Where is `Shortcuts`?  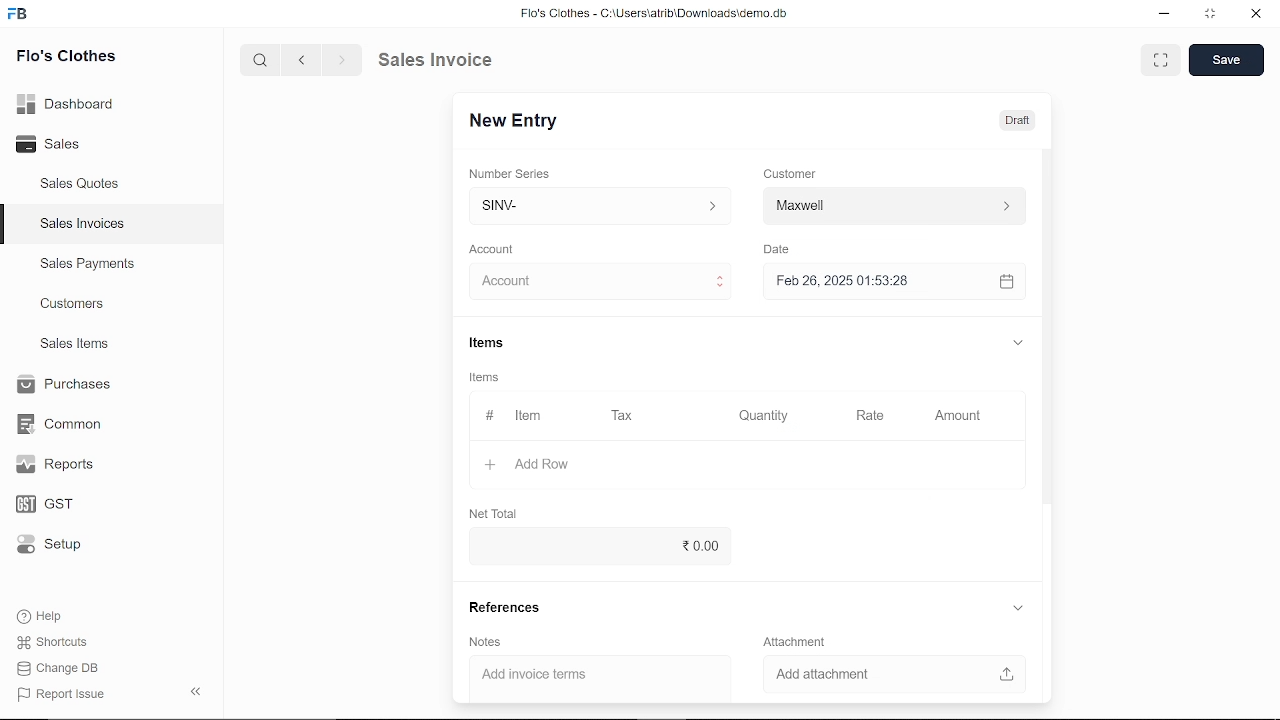 Shortcuts is located at coordinates (63, 643).